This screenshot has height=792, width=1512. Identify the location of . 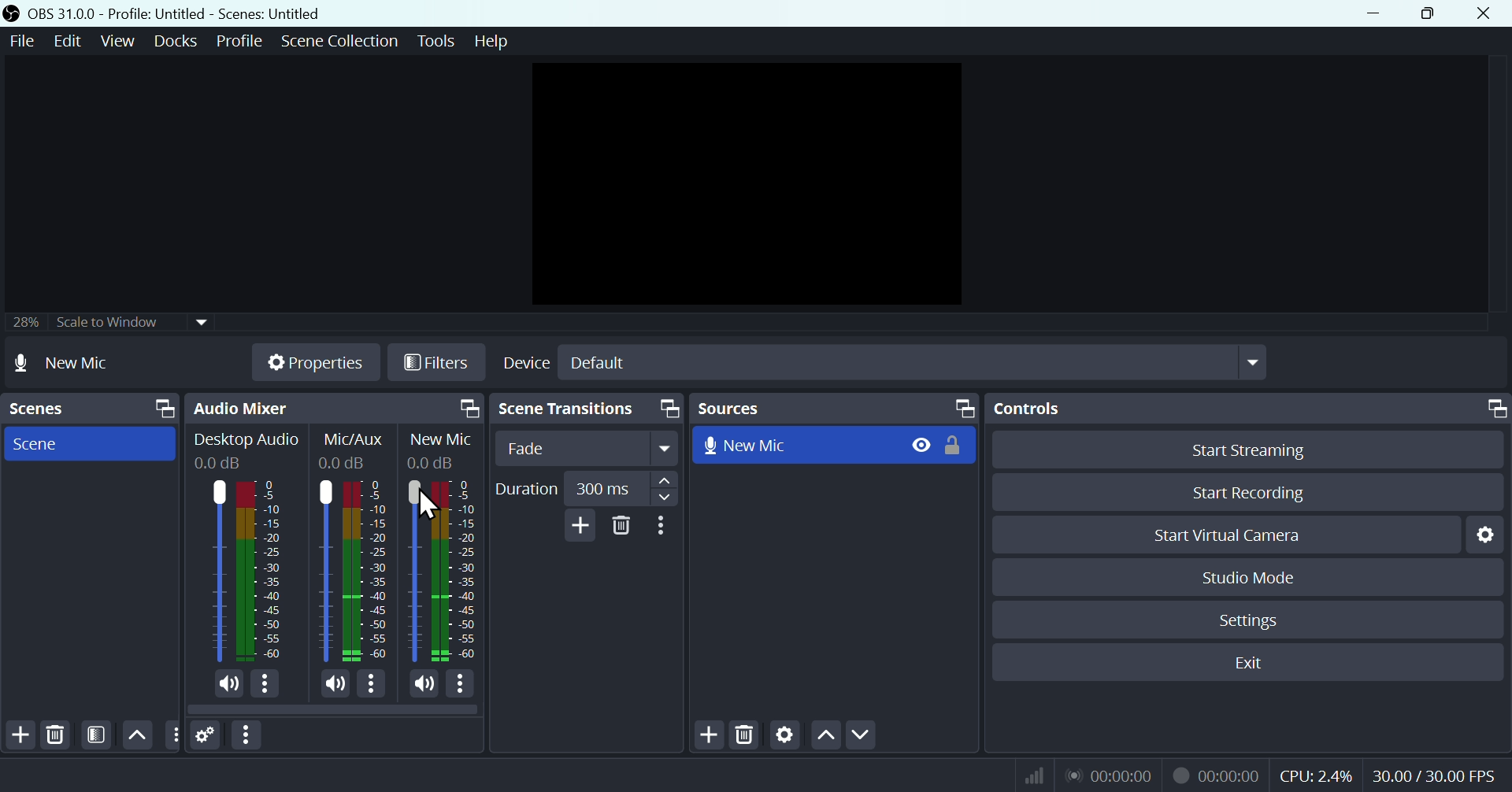
(172, 735).